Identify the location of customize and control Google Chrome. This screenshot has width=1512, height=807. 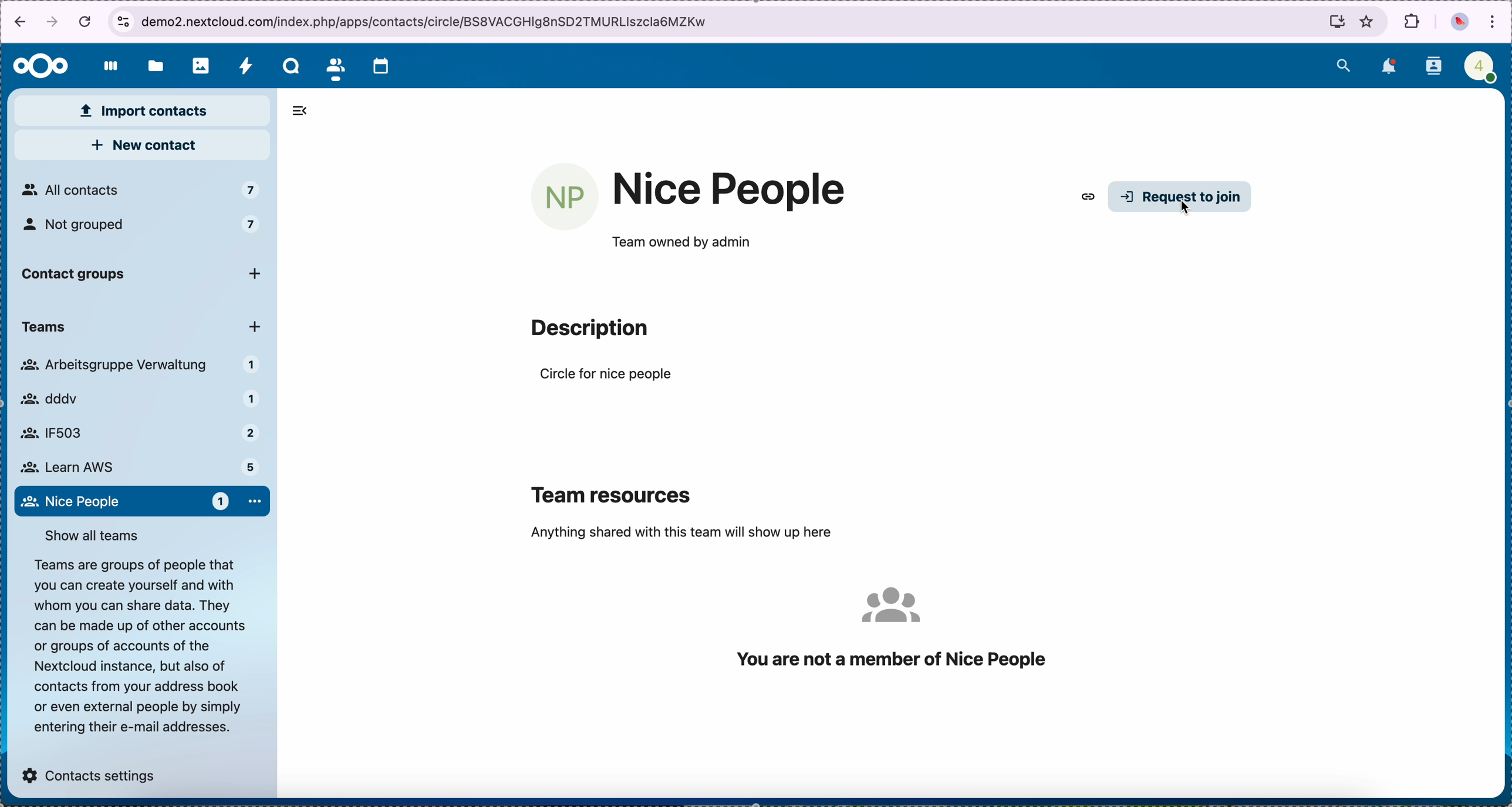
(1494, 21).